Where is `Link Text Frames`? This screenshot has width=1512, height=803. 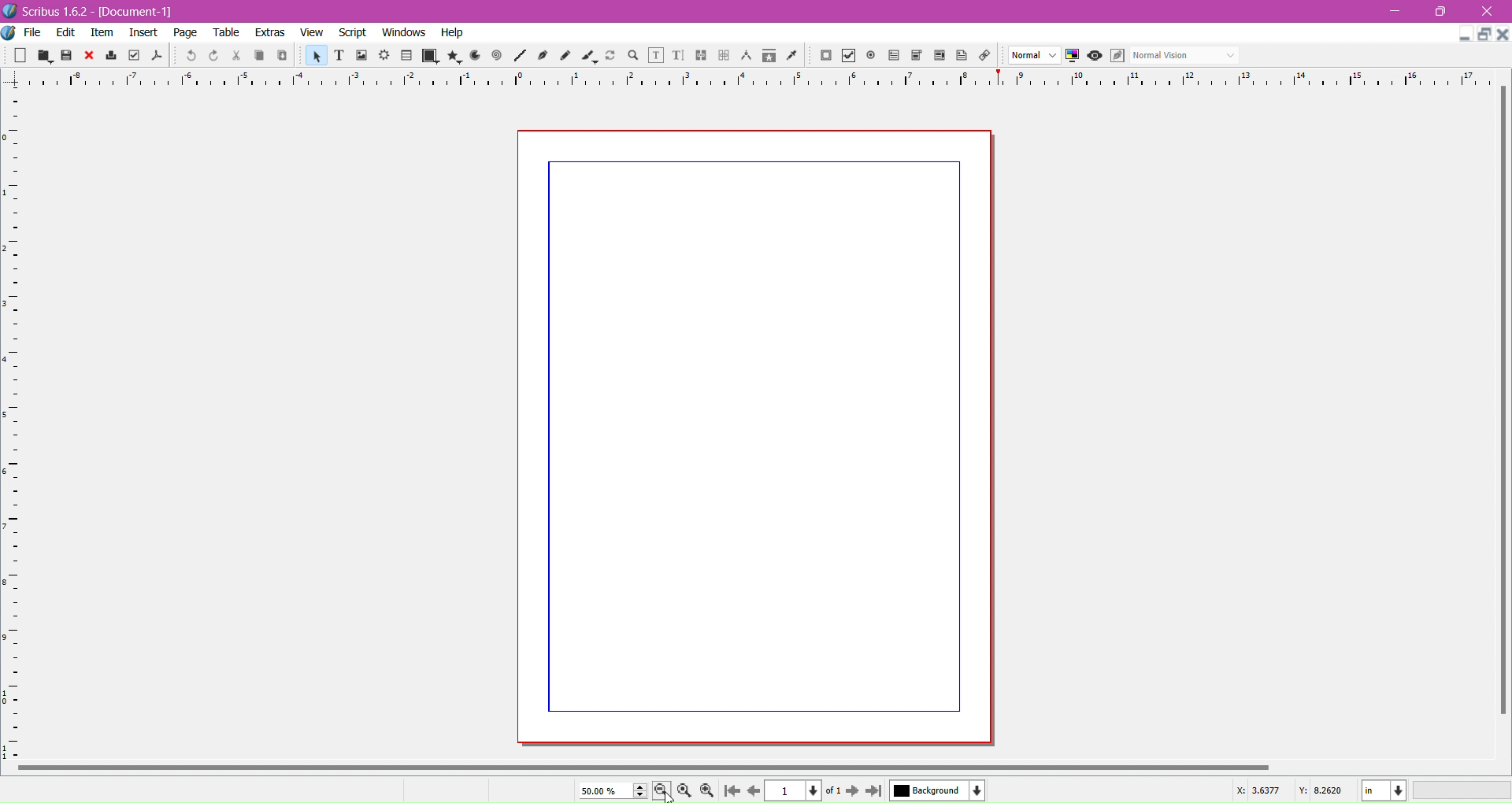
Link Text Frames is located at coordinates (700, 55).